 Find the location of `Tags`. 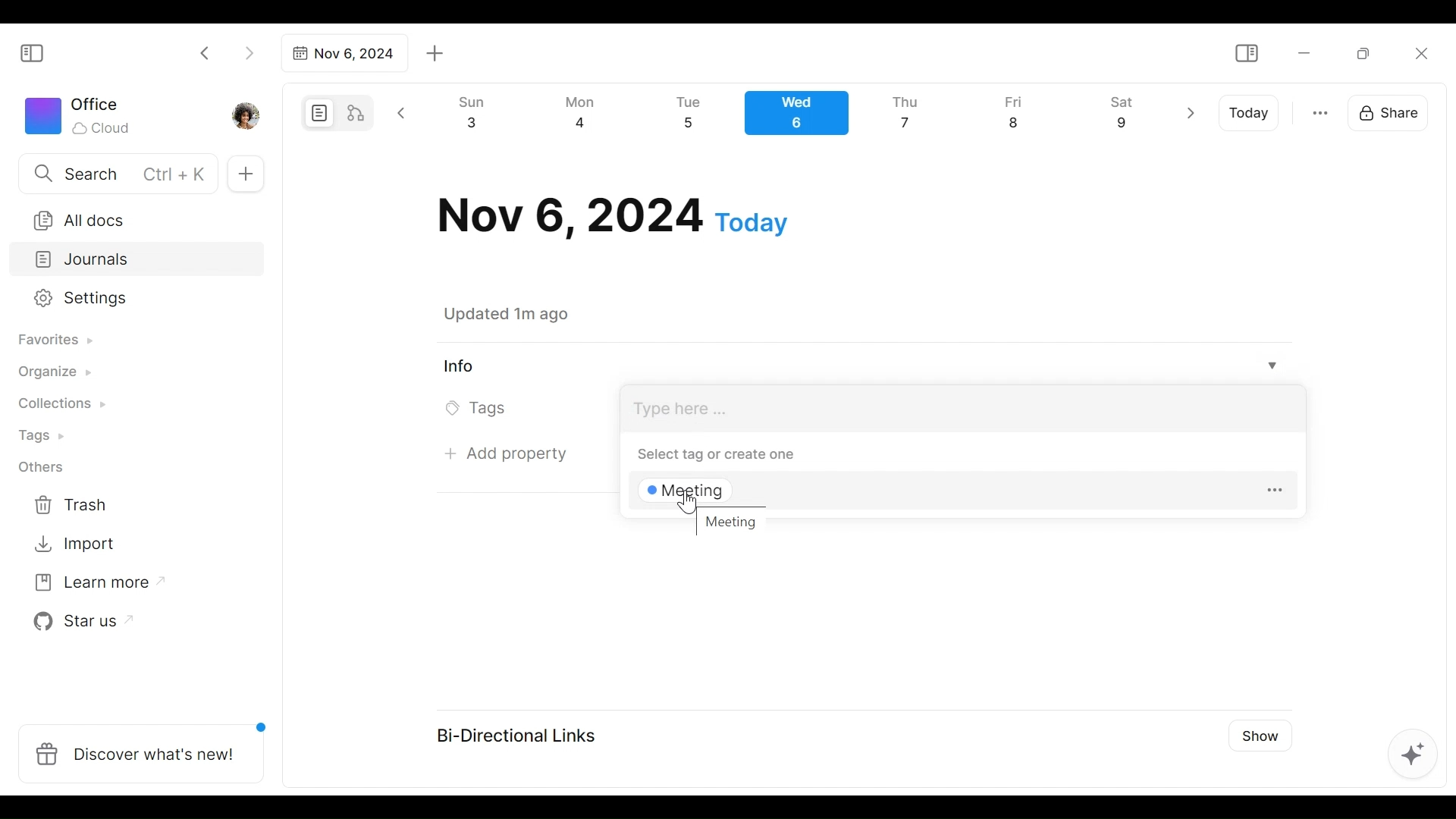

Tags is located at coordinates (43, 438).